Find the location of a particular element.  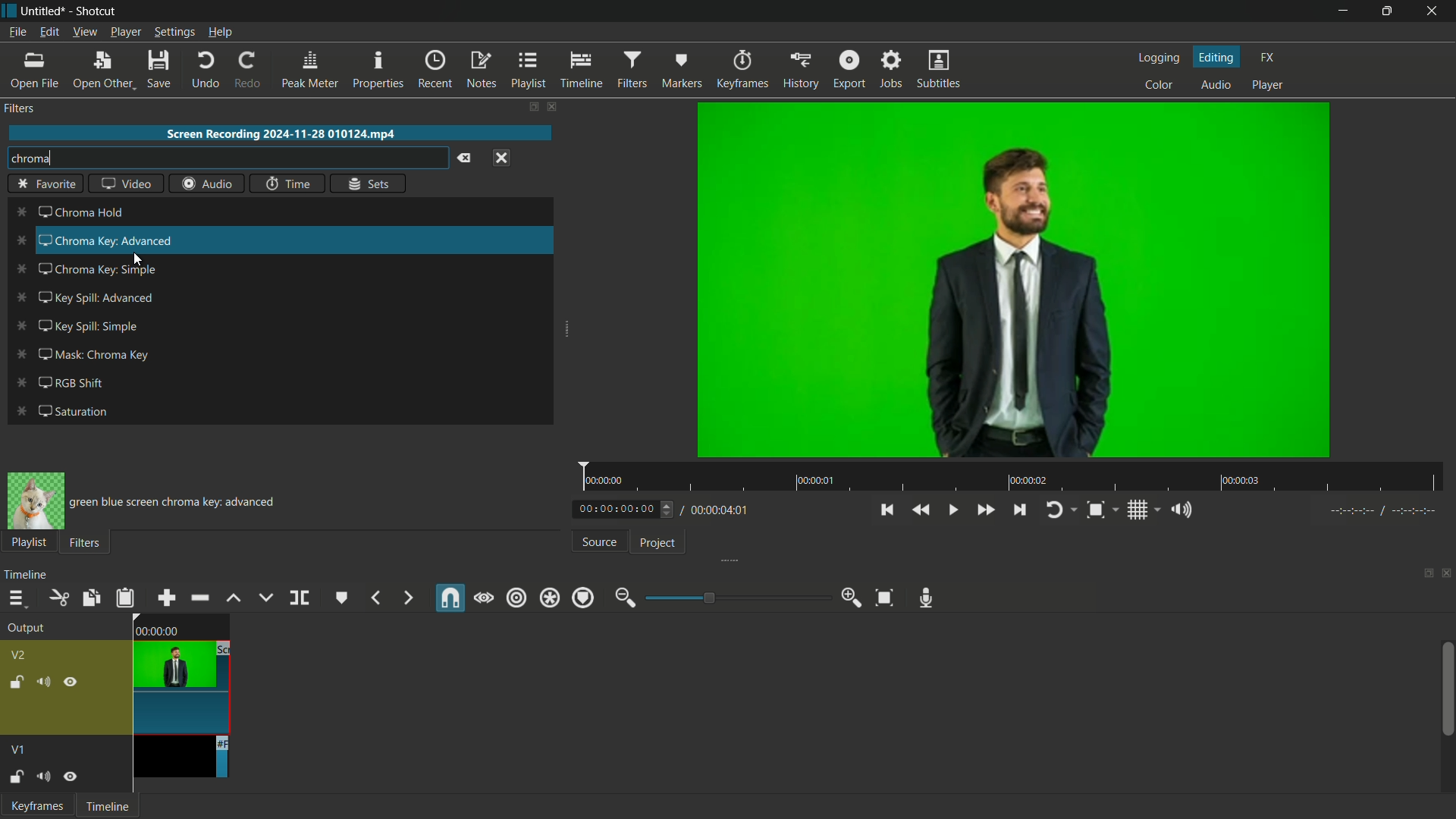

export is located at coordinates (846, 71).